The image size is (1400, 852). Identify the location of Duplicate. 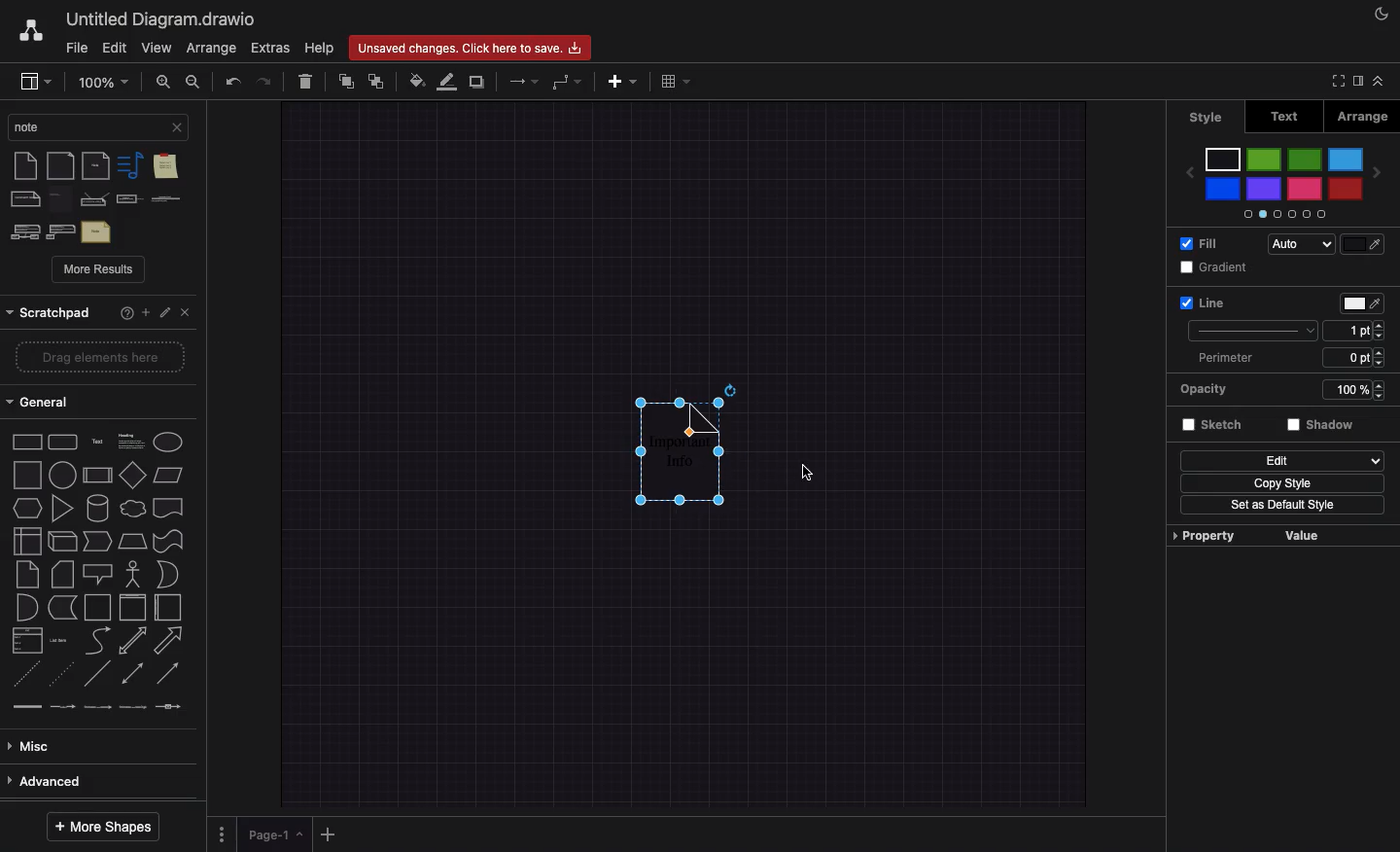
(476, 82).